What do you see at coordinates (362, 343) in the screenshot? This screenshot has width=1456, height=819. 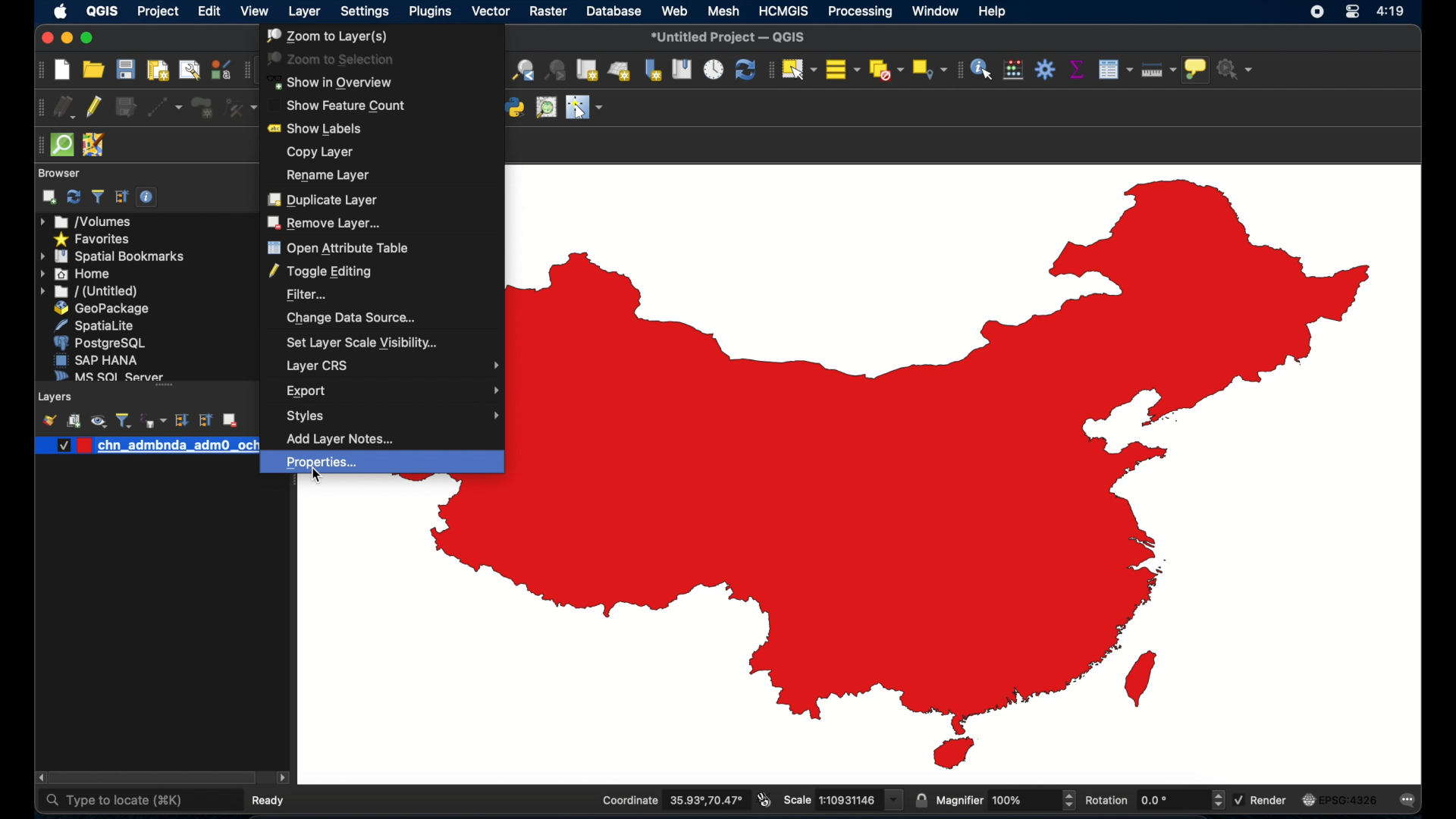 I see `set layer. scale visibility` at bounding box center [362, 343].